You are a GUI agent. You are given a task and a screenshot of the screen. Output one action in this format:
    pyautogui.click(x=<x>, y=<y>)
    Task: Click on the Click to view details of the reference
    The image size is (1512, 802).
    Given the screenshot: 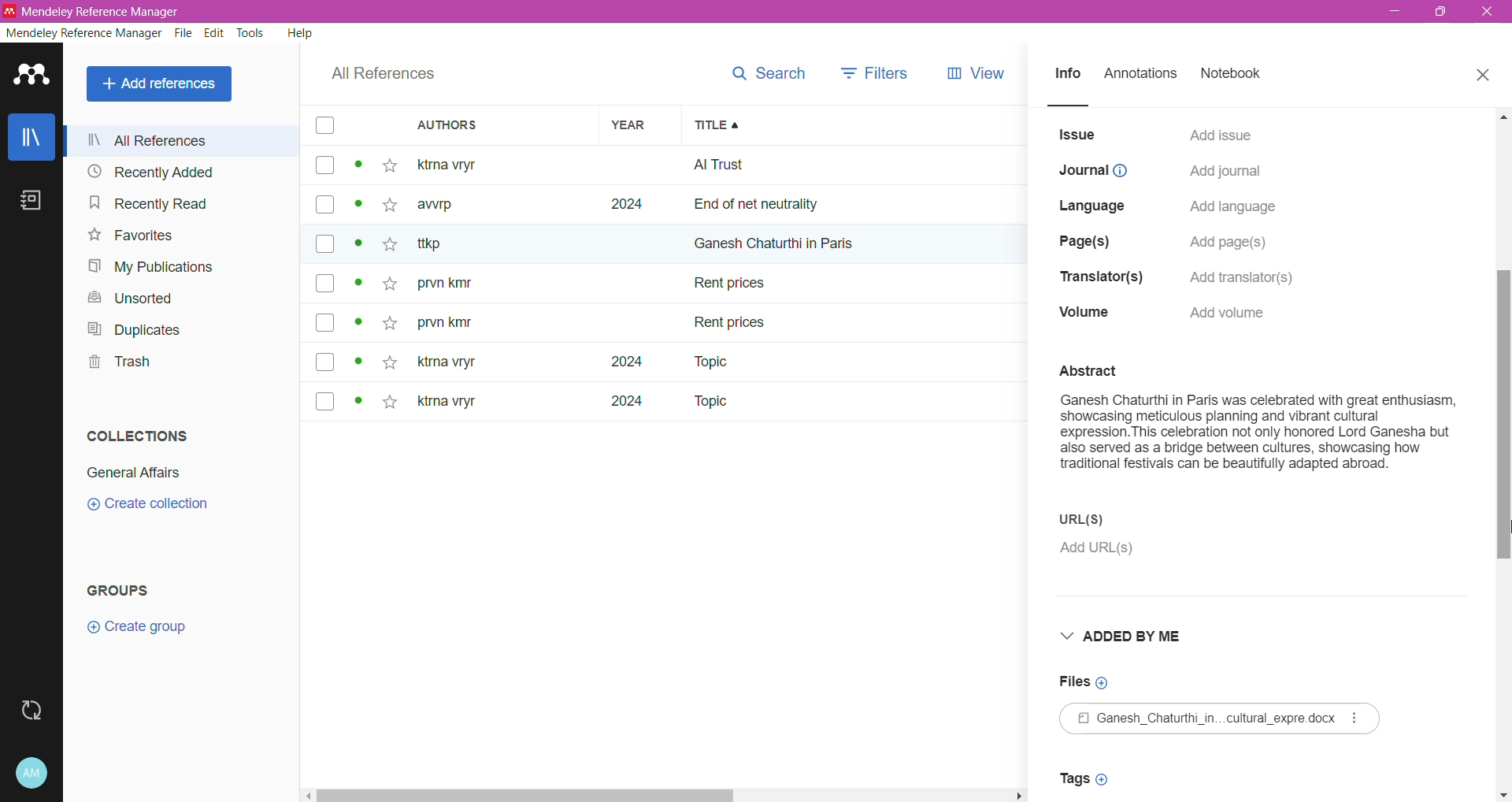 What is the action you would take?
    pyautogui.click(x=361, y=285)
    